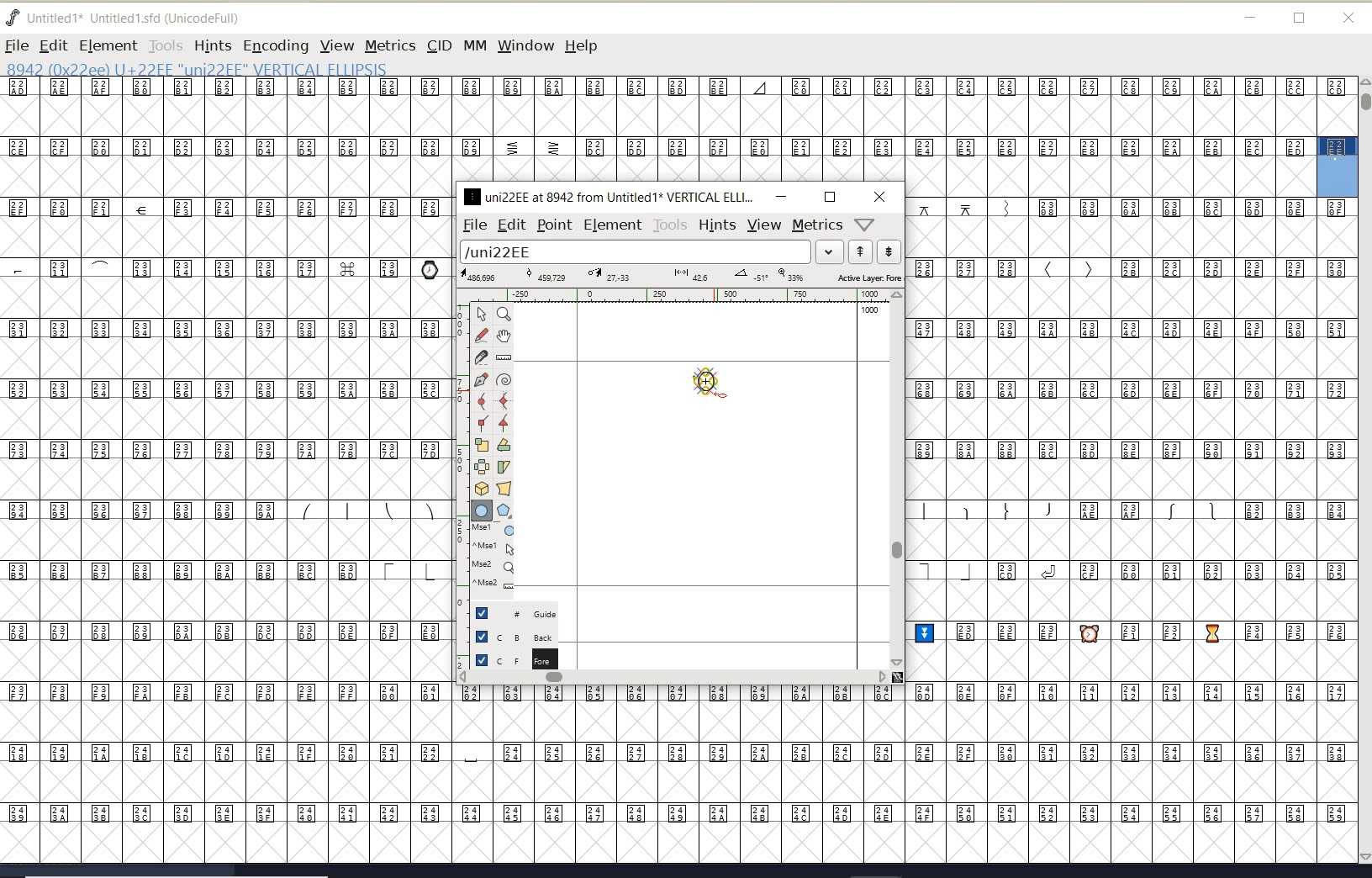  What do you see at coordinates (16, 45) in the screenshot?
I see `FILE` at bounding box center [16, 45].